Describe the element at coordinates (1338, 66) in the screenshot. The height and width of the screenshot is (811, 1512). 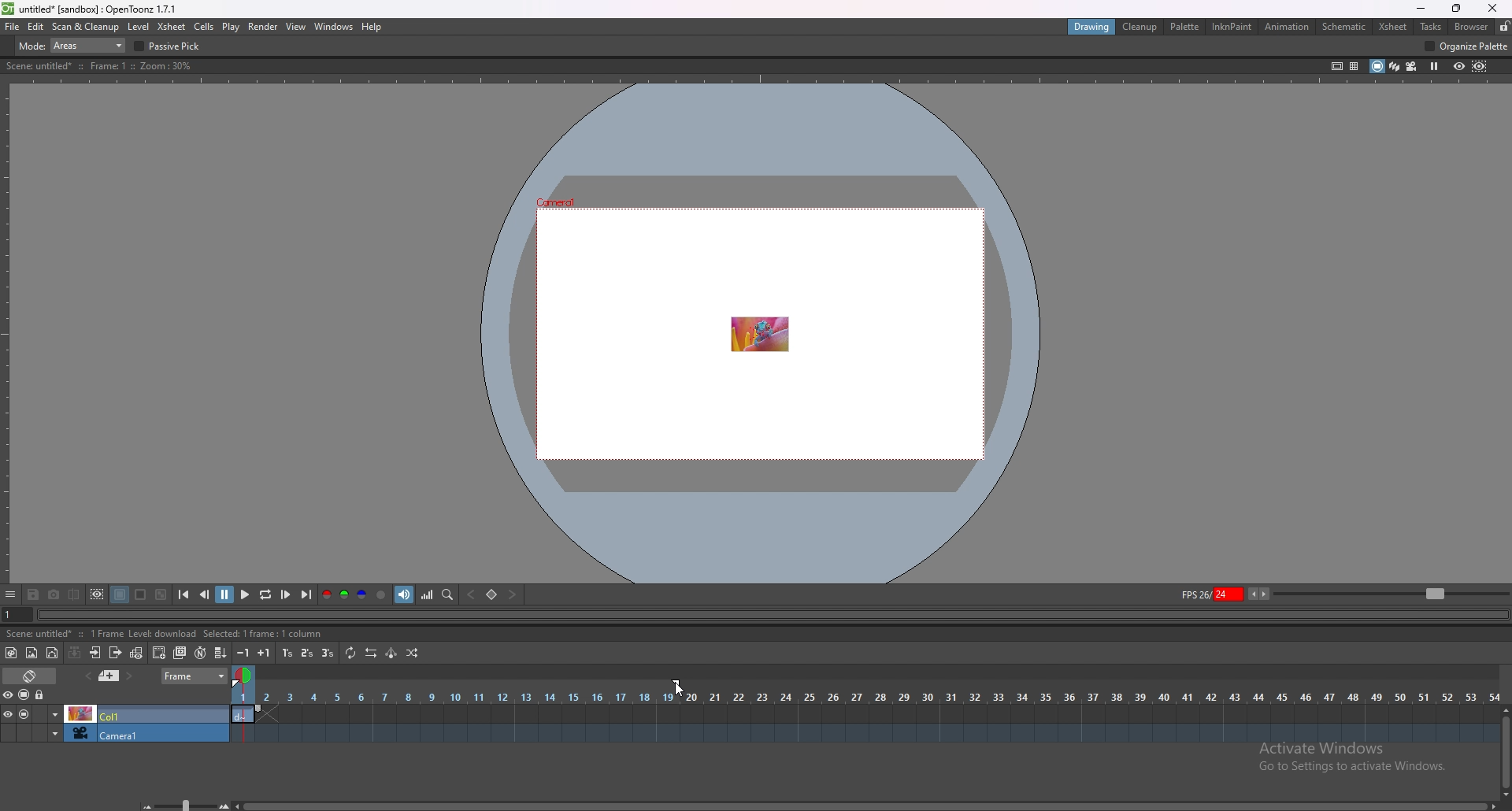
I see `safe area` at that location.